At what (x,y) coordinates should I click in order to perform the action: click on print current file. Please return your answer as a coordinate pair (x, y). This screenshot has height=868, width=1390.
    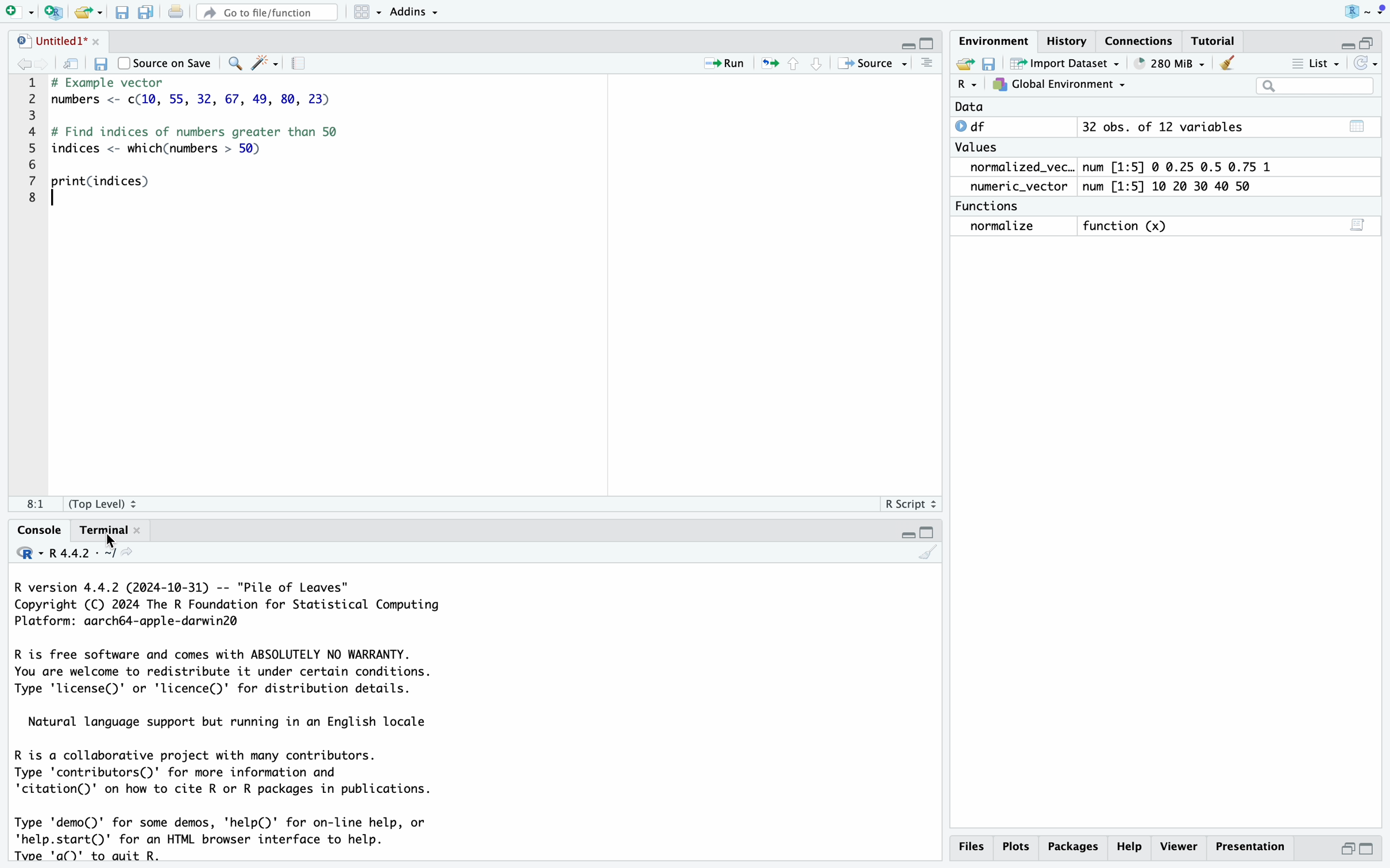
    Looking at the image, I should click on (176, 13).